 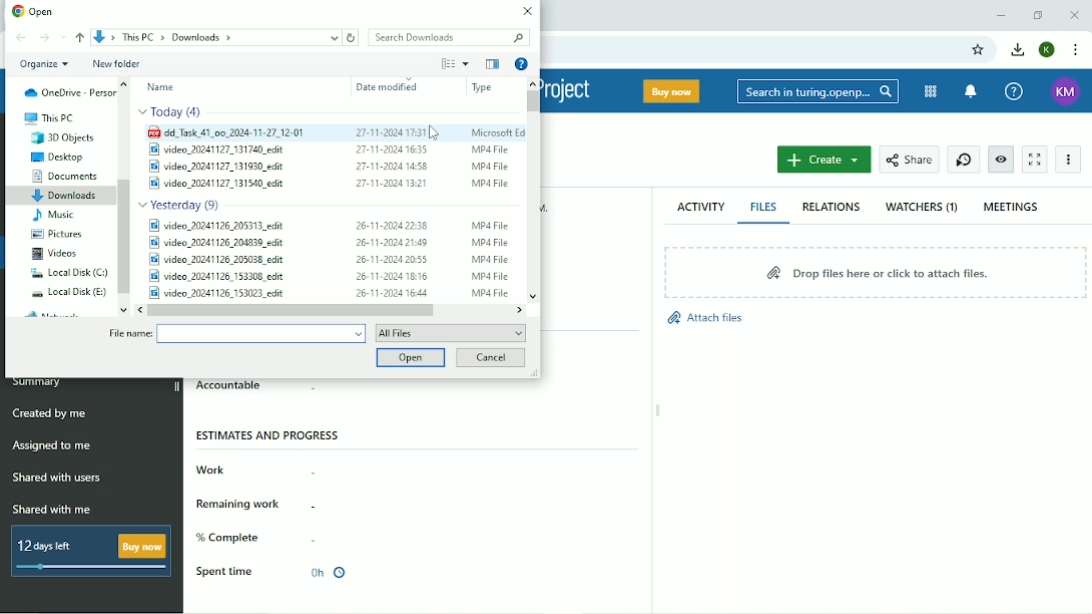 I want to click on Show the previous pane, so click(x=492, y=64).